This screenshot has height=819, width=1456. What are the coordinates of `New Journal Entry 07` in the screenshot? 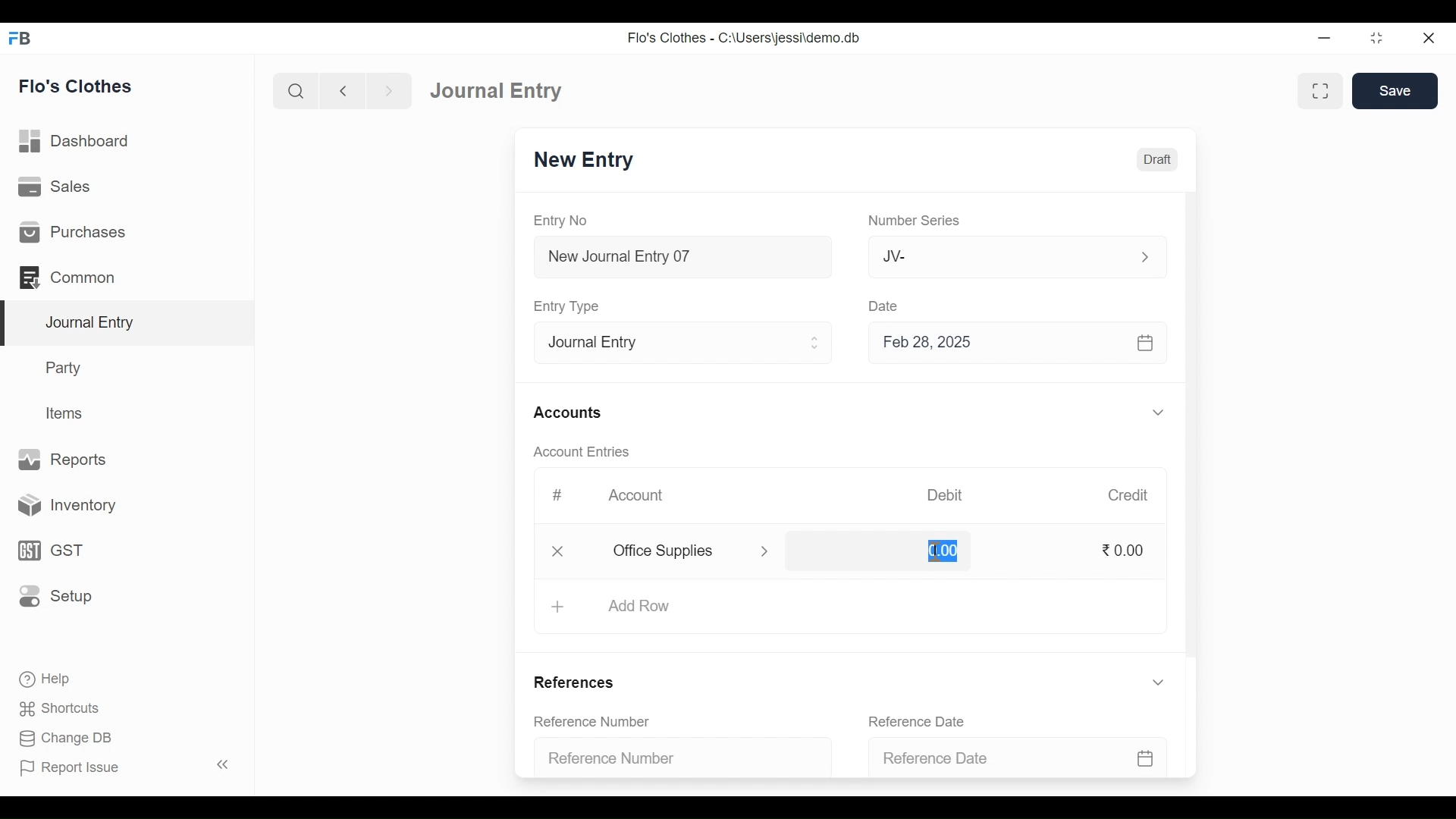 It's located at (684, 259).